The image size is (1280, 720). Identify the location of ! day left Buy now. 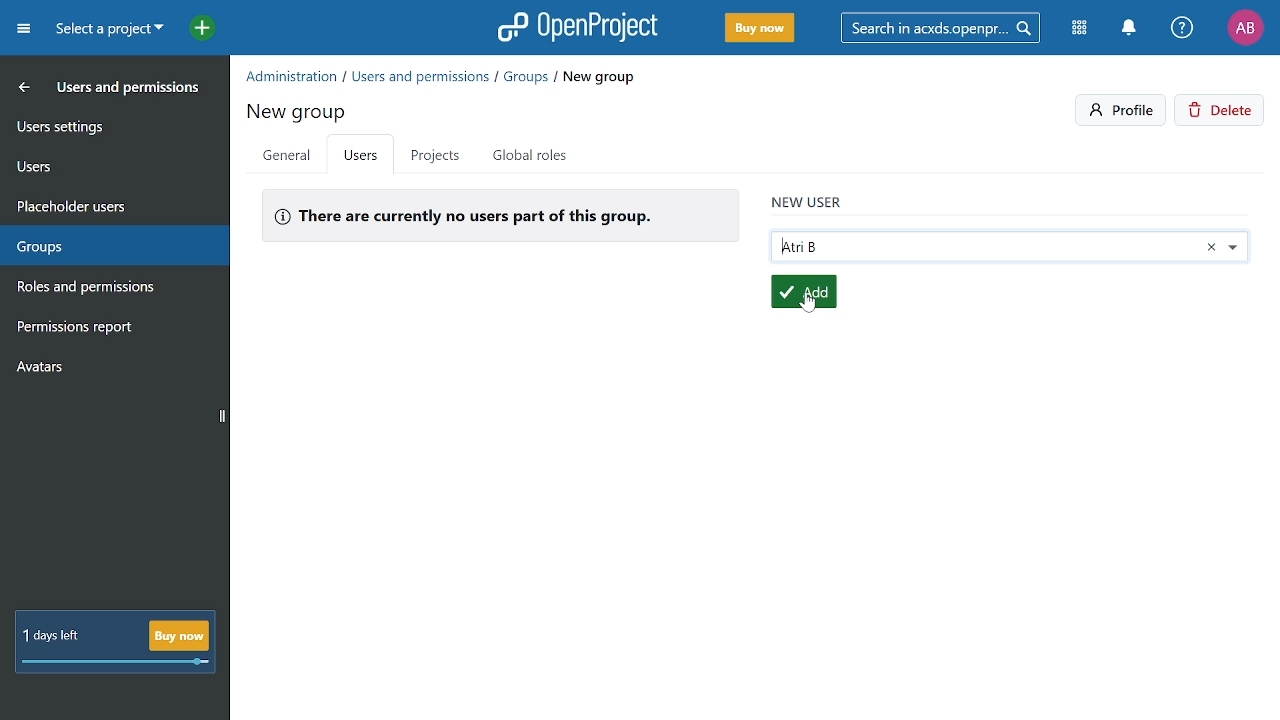
(115, 643).